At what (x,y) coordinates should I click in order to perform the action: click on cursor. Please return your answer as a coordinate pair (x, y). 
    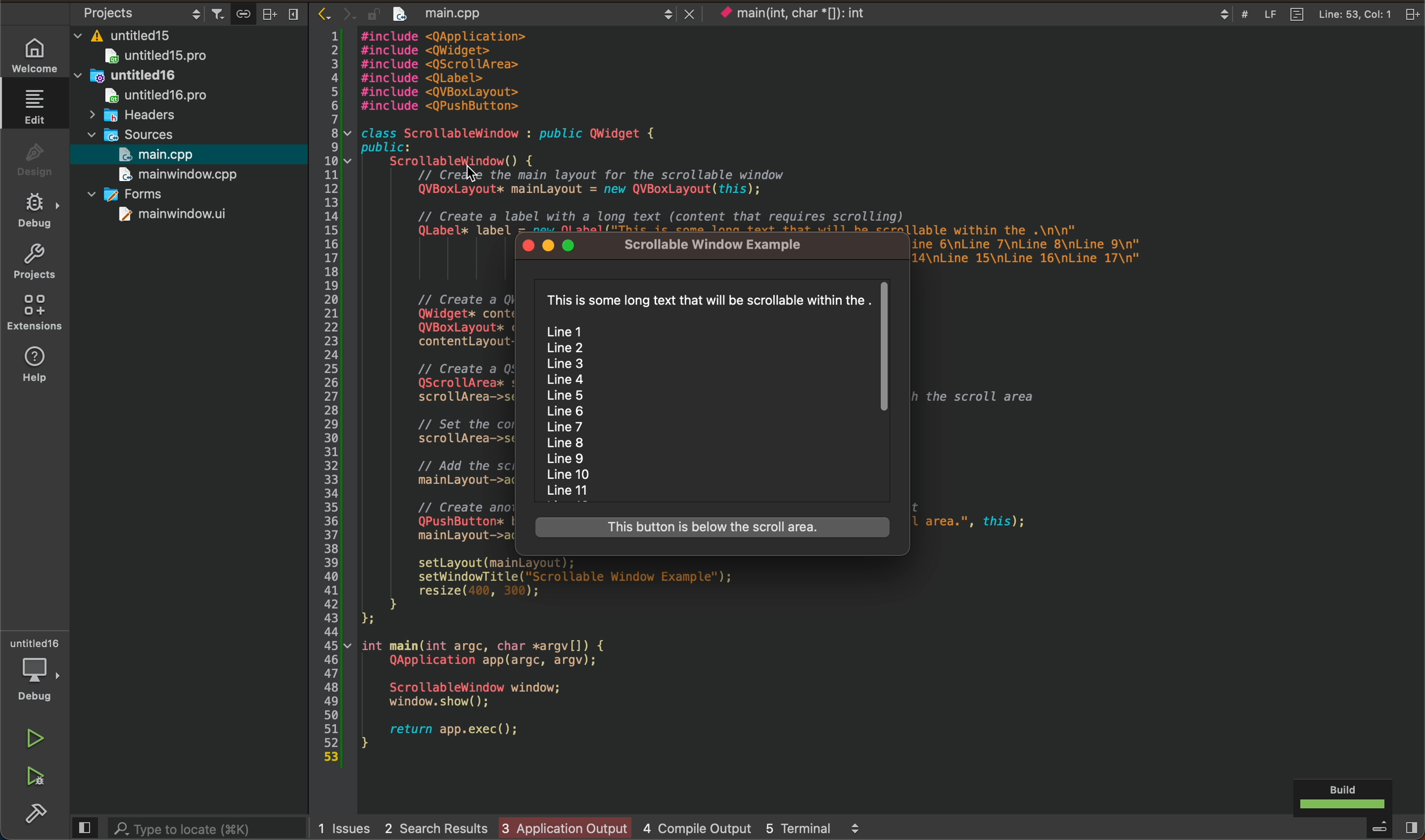
    Looking at the image, I should click on (464, 167).